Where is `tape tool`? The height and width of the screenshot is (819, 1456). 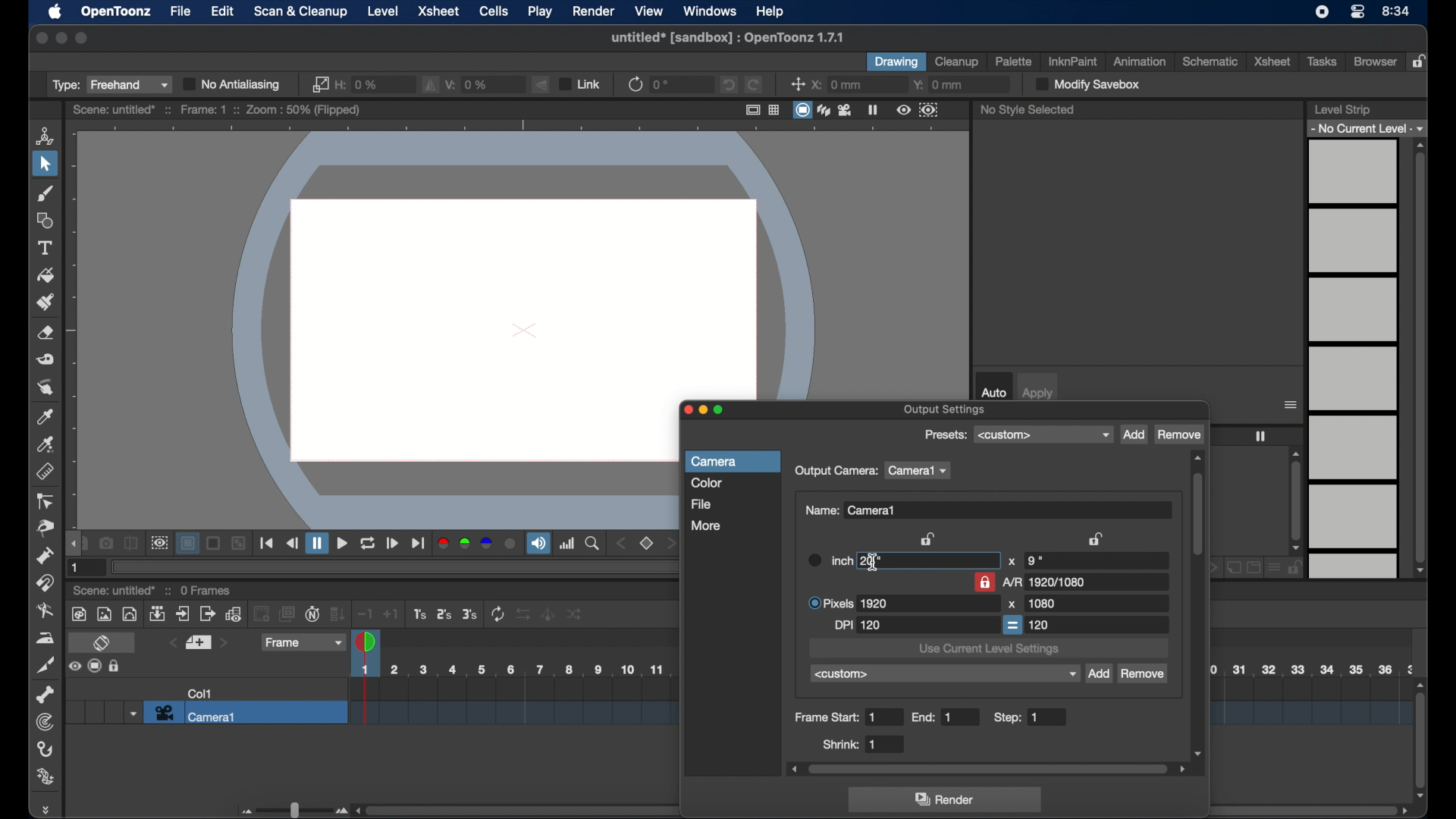
tape tool is located at coordinates (46, 359).